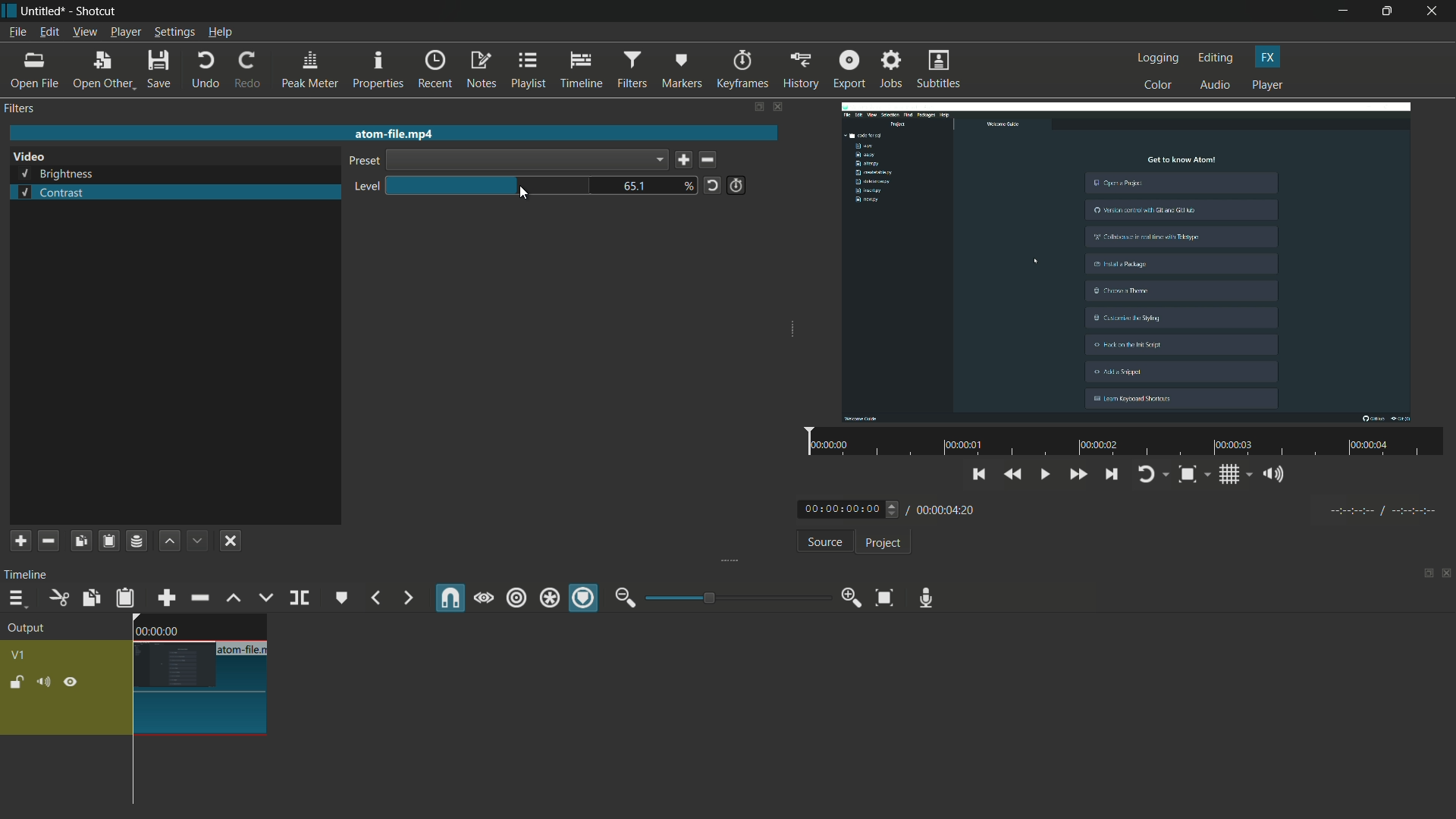 The image size is (1456, 819). I want to click on open file, so click(36, 71).